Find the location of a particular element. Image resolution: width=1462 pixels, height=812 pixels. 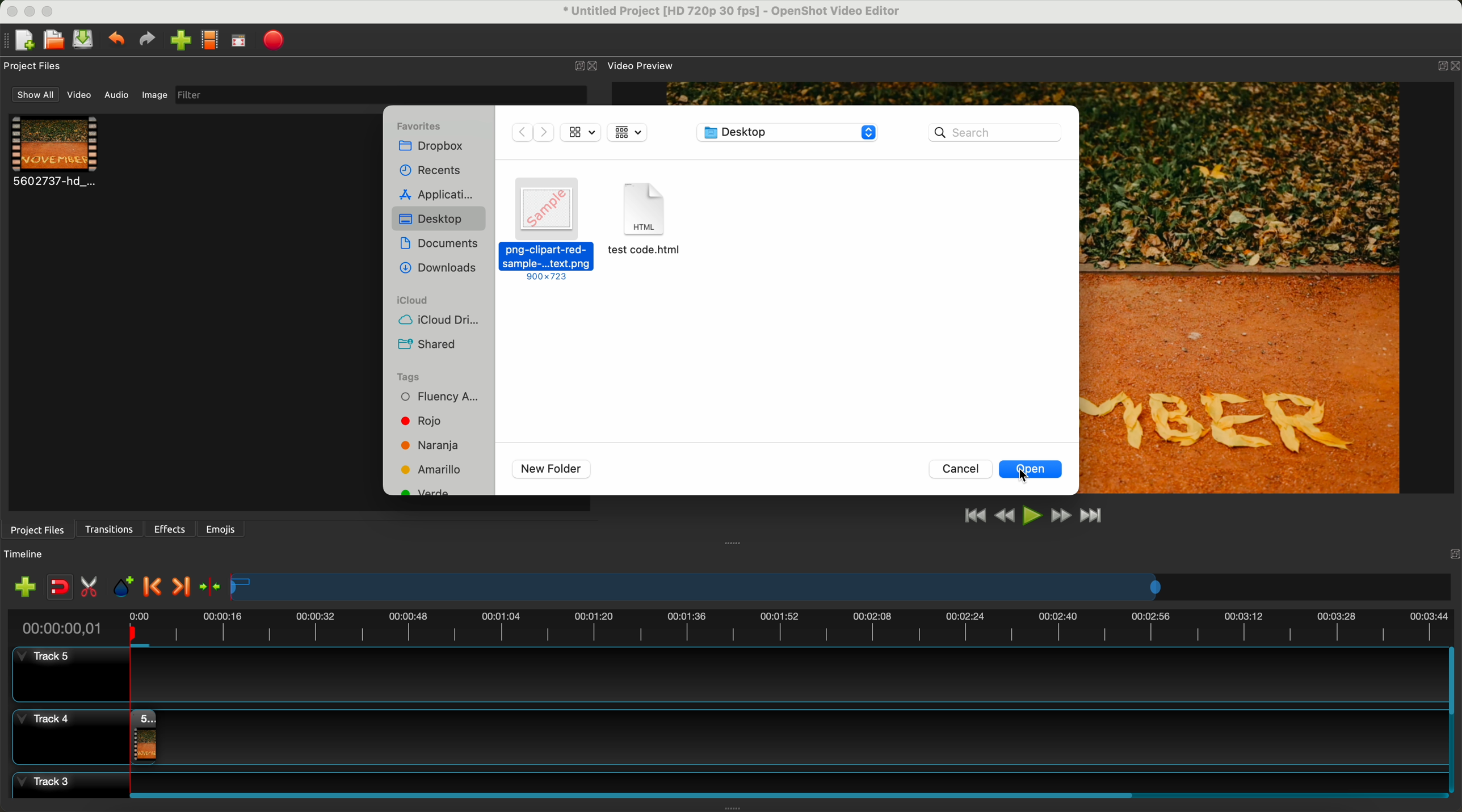

downloads is located at coordinates (439, 268).